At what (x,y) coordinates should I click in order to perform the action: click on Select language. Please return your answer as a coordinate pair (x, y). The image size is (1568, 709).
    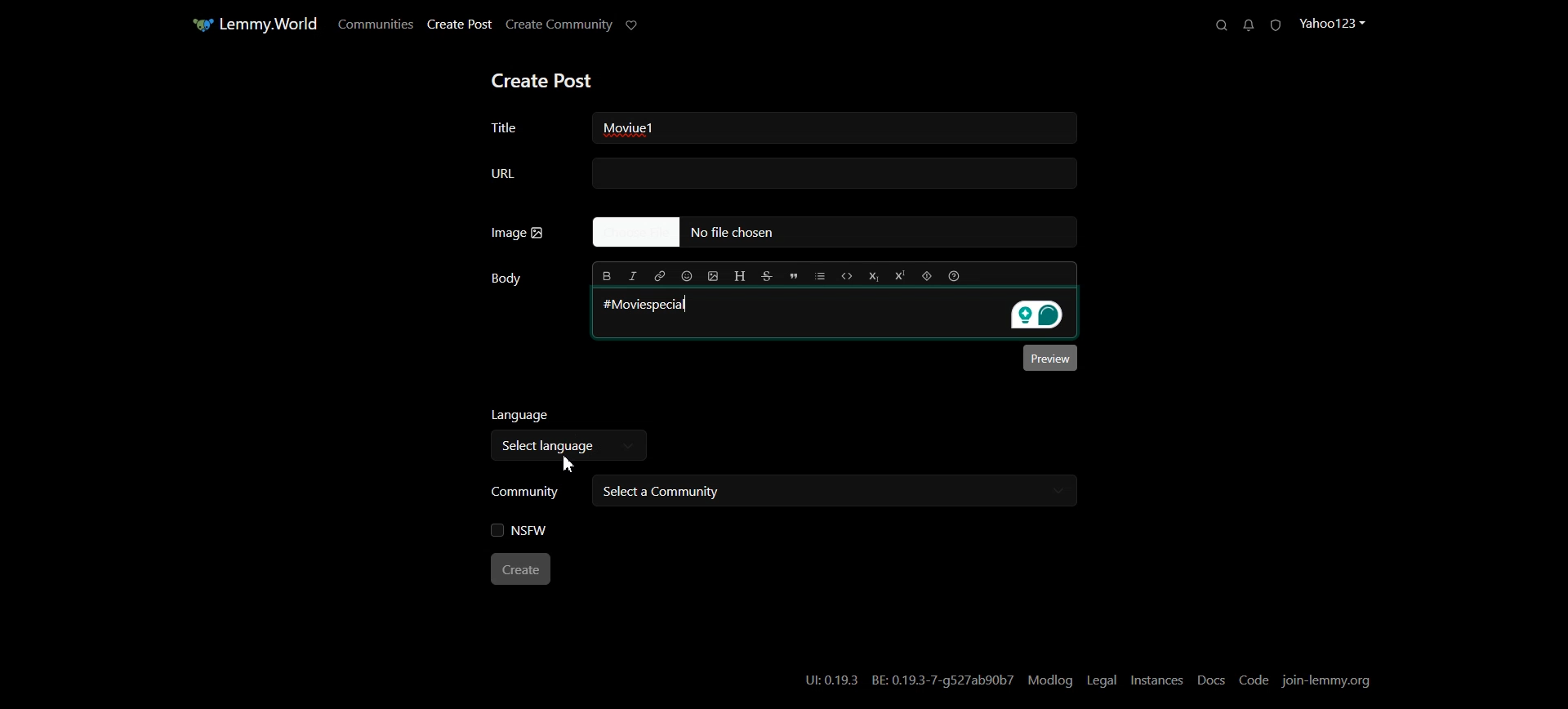
    Looking at the image, I should click on (563, 448).